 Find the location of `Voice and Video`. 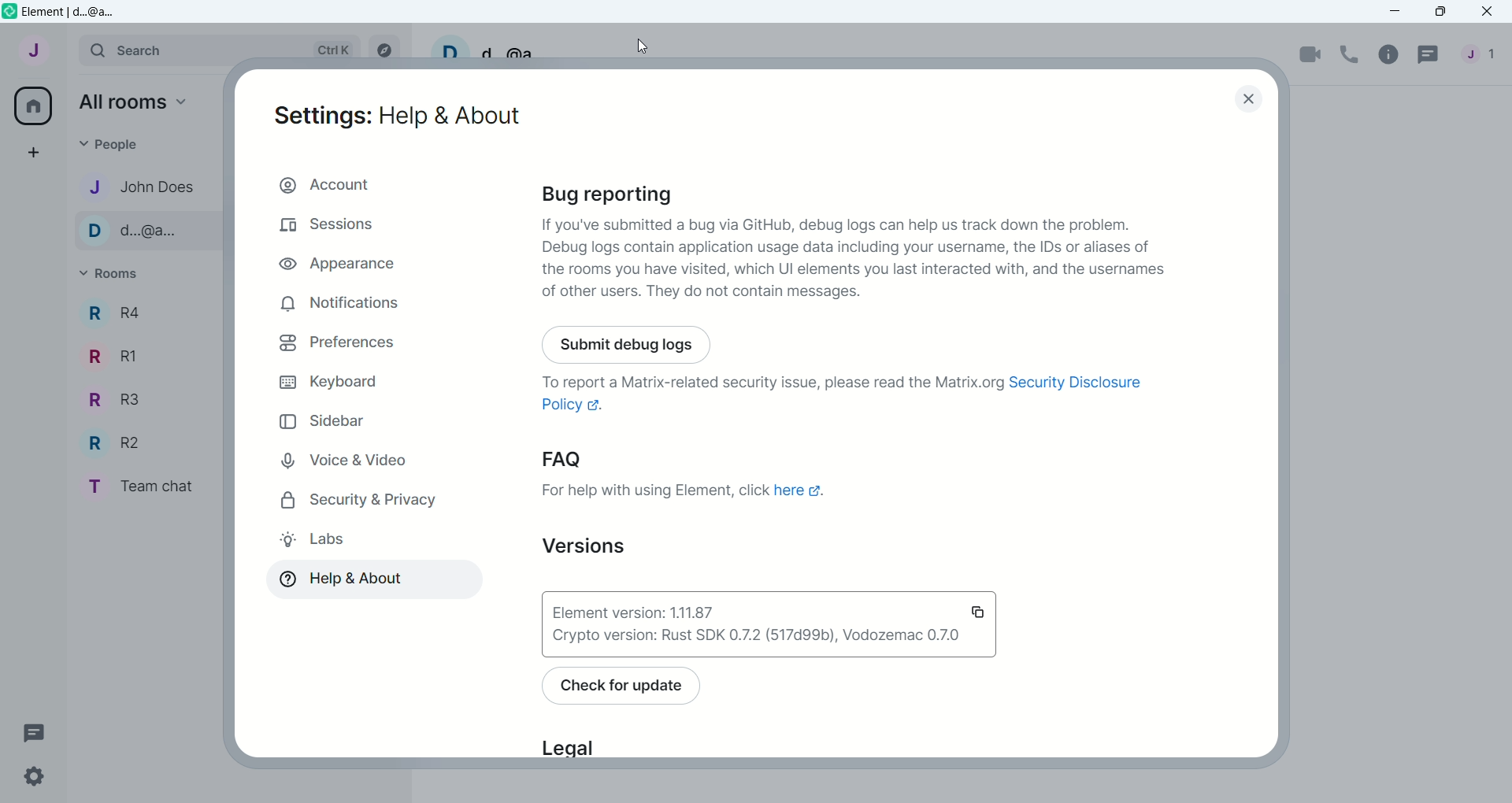

Voice and Video is located at coordinates (342, 458).